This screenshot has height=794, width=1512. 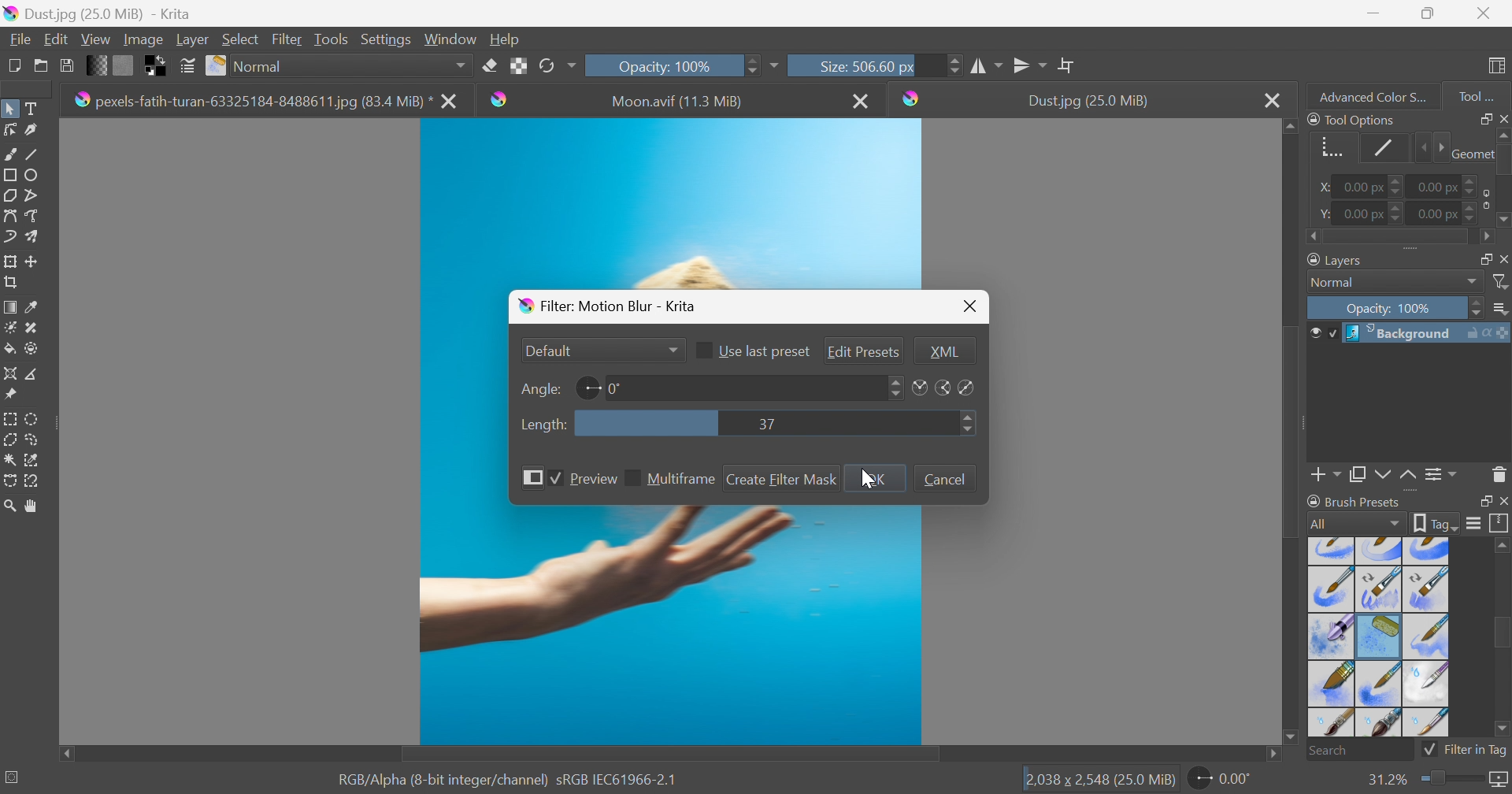 What do you see at coordinates (1088, 101) in the screenshot?
I see `Dust.jpg (25.0 MB)` at bounding box center [1088, 101].